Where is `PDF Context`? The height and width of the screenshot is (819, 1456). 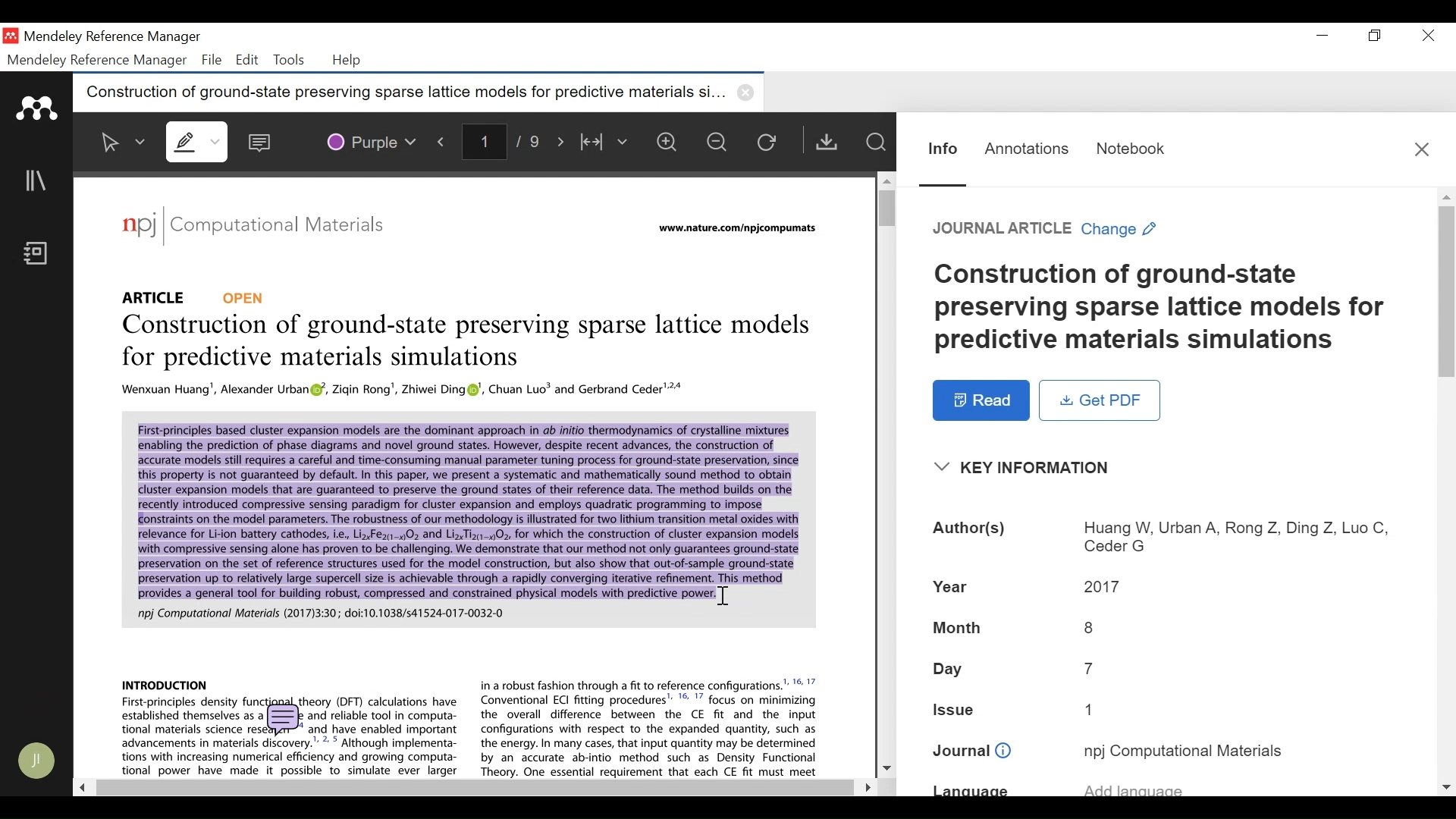 PDF Context is located at coordinates (405, 391).